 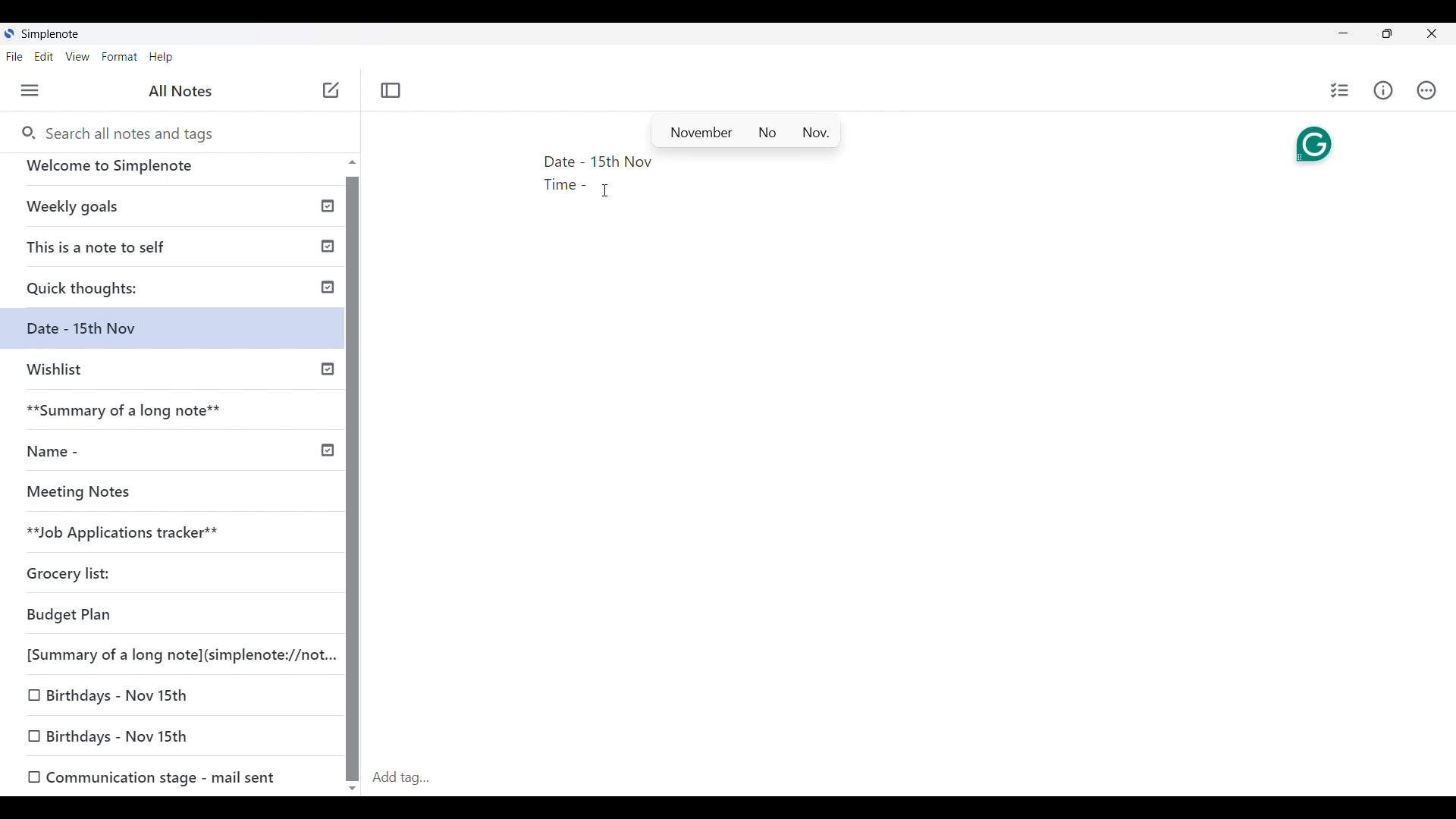 I want to click on Click to type in tags, so click(x=910, y=779).